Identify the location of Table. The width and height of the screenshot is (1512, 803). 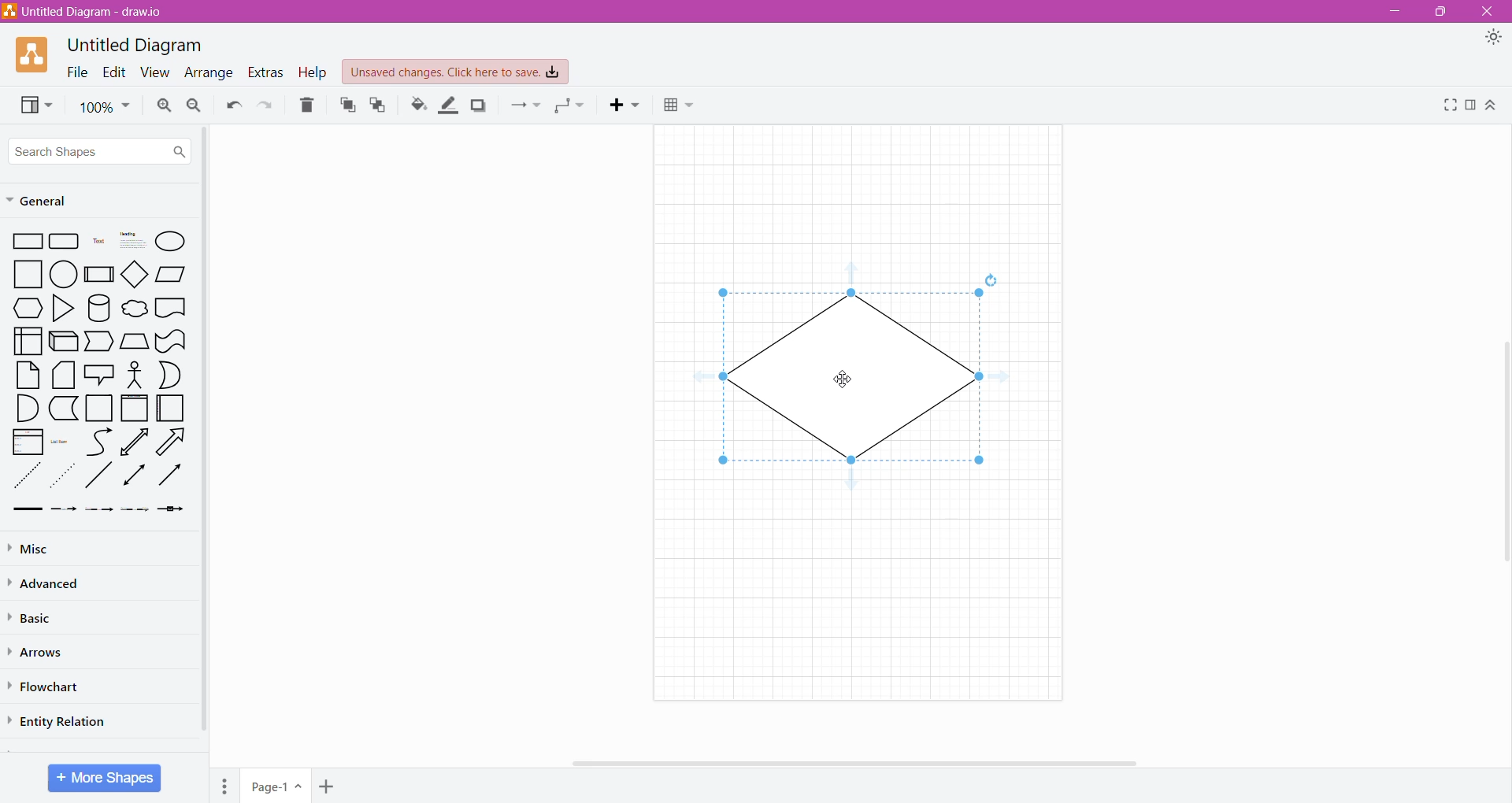
(680, 105).